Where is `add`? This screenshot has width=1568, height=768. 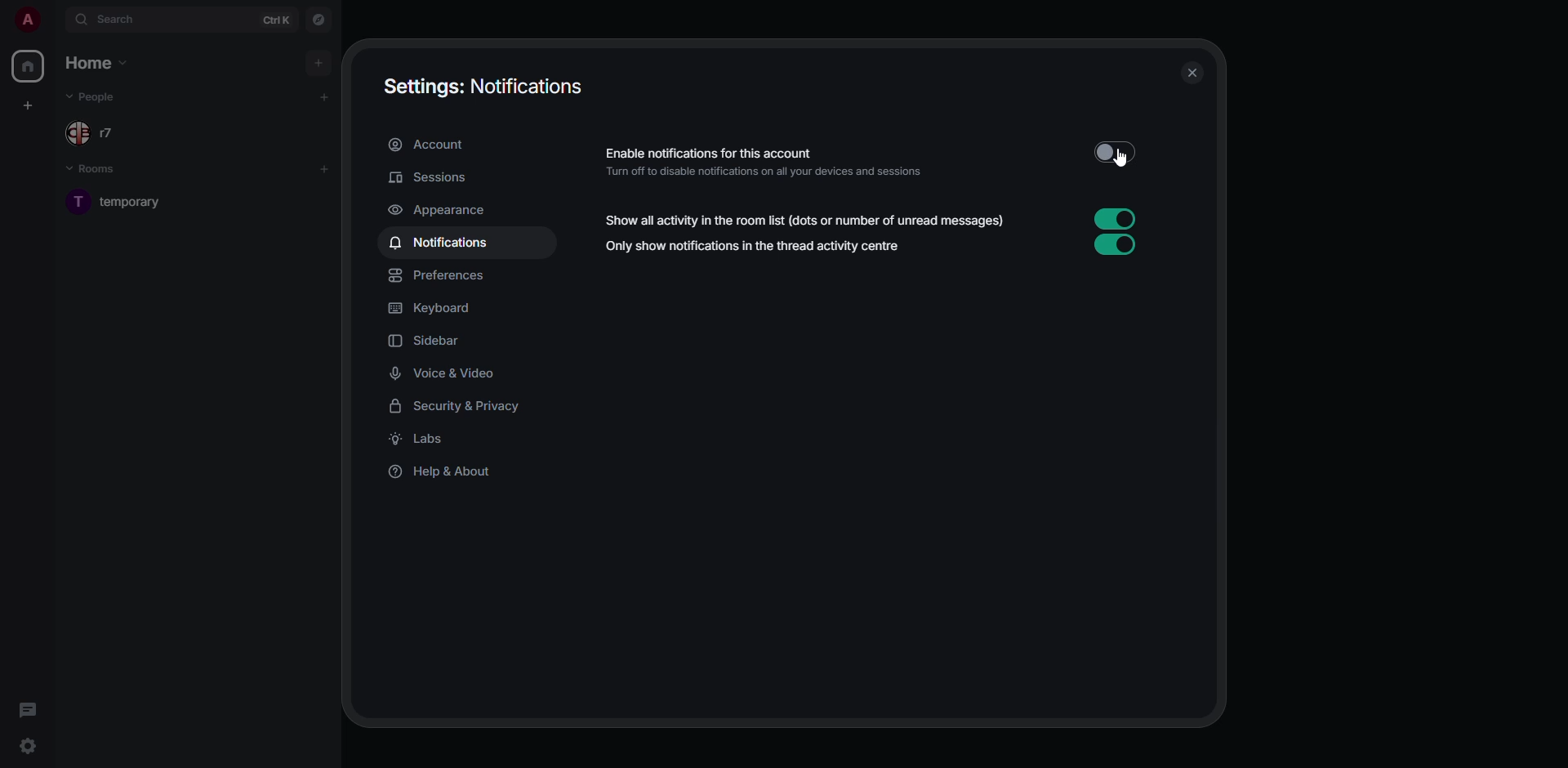
add is located at coordinates (325, 169).